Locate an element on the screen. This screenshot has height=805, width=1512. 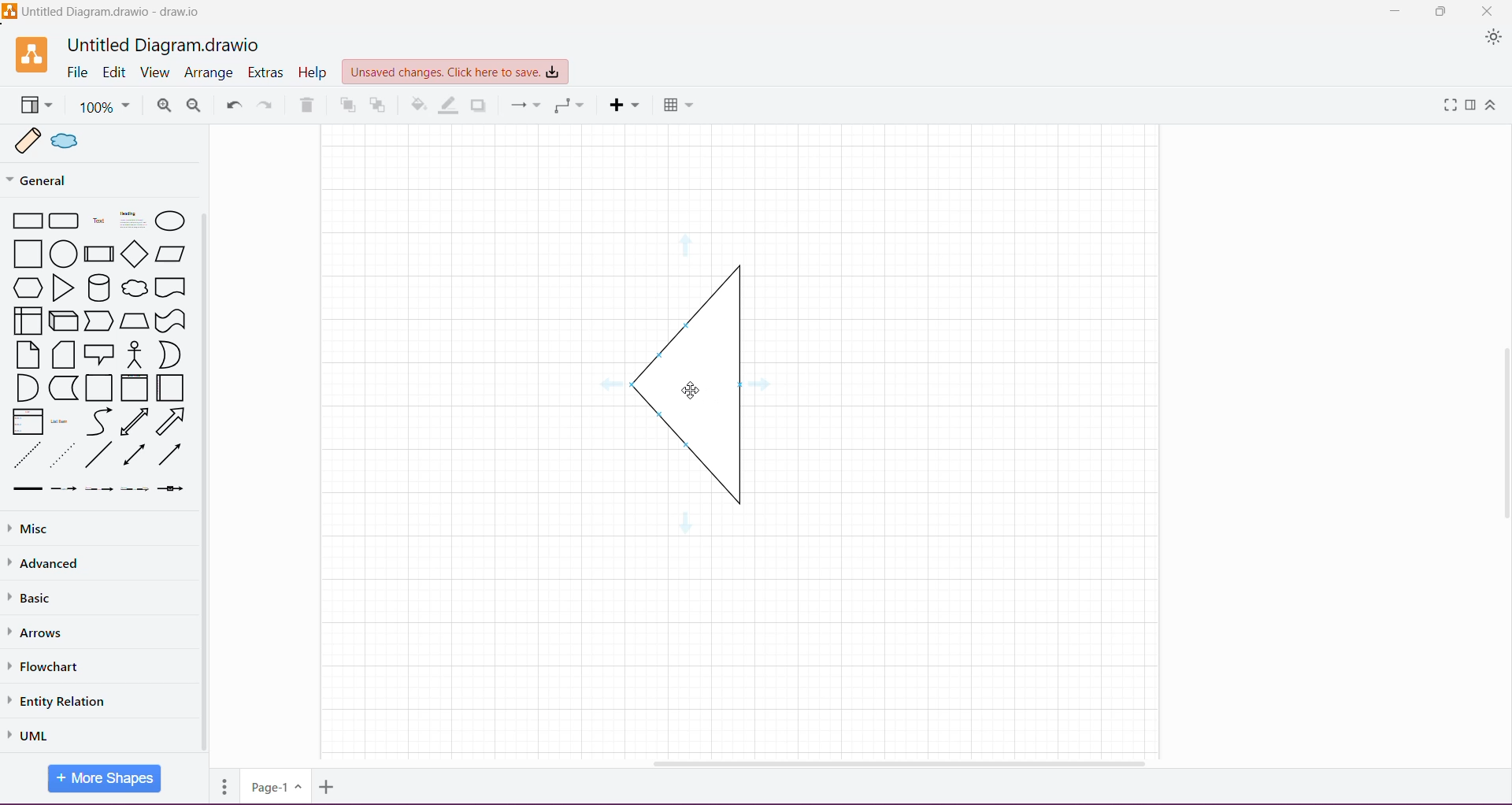
Connectors is located at coordinates (525, 105).